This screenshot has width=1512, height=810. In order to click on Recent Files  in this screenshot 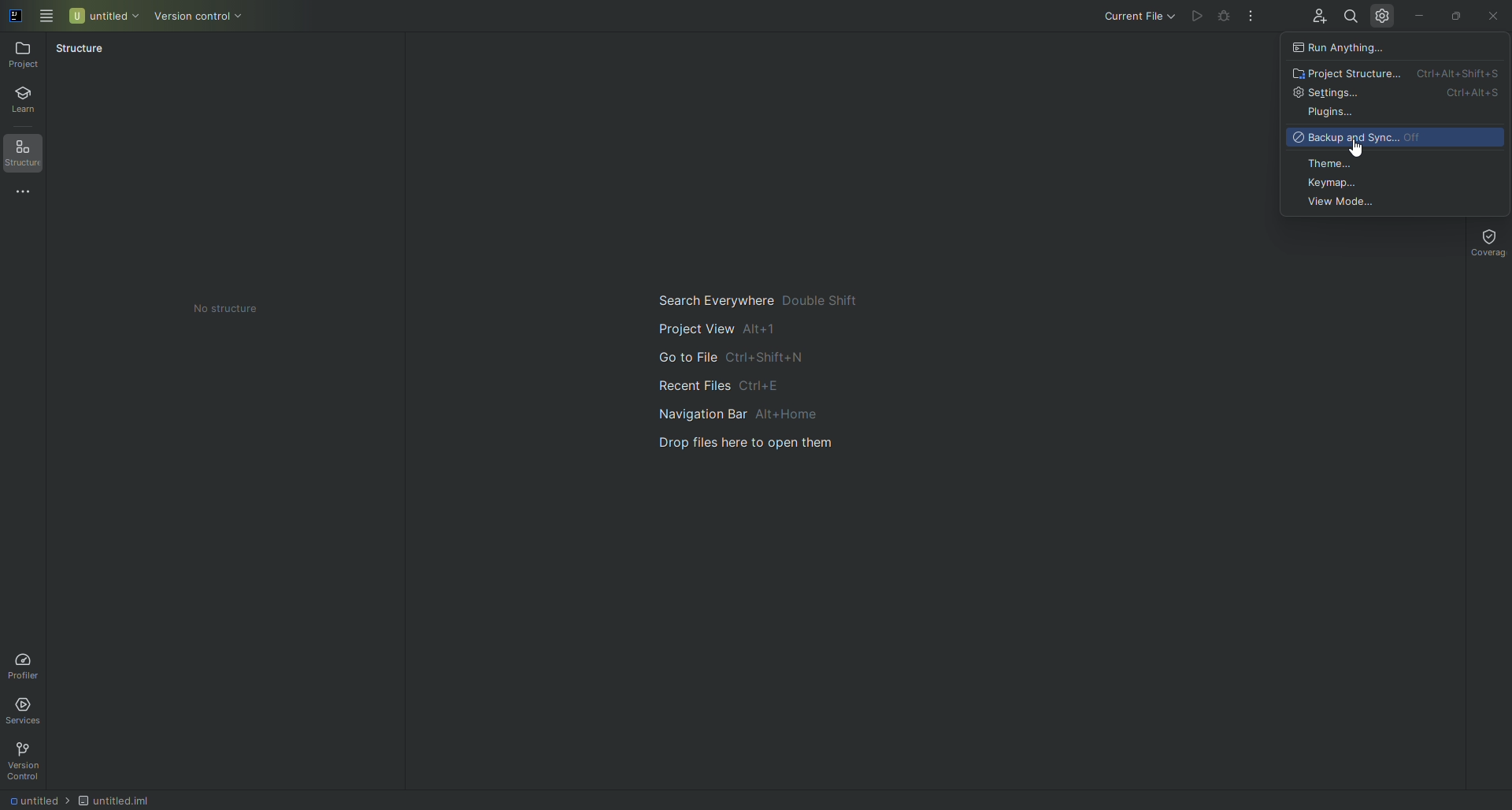, I will do `click(714, 384)`.